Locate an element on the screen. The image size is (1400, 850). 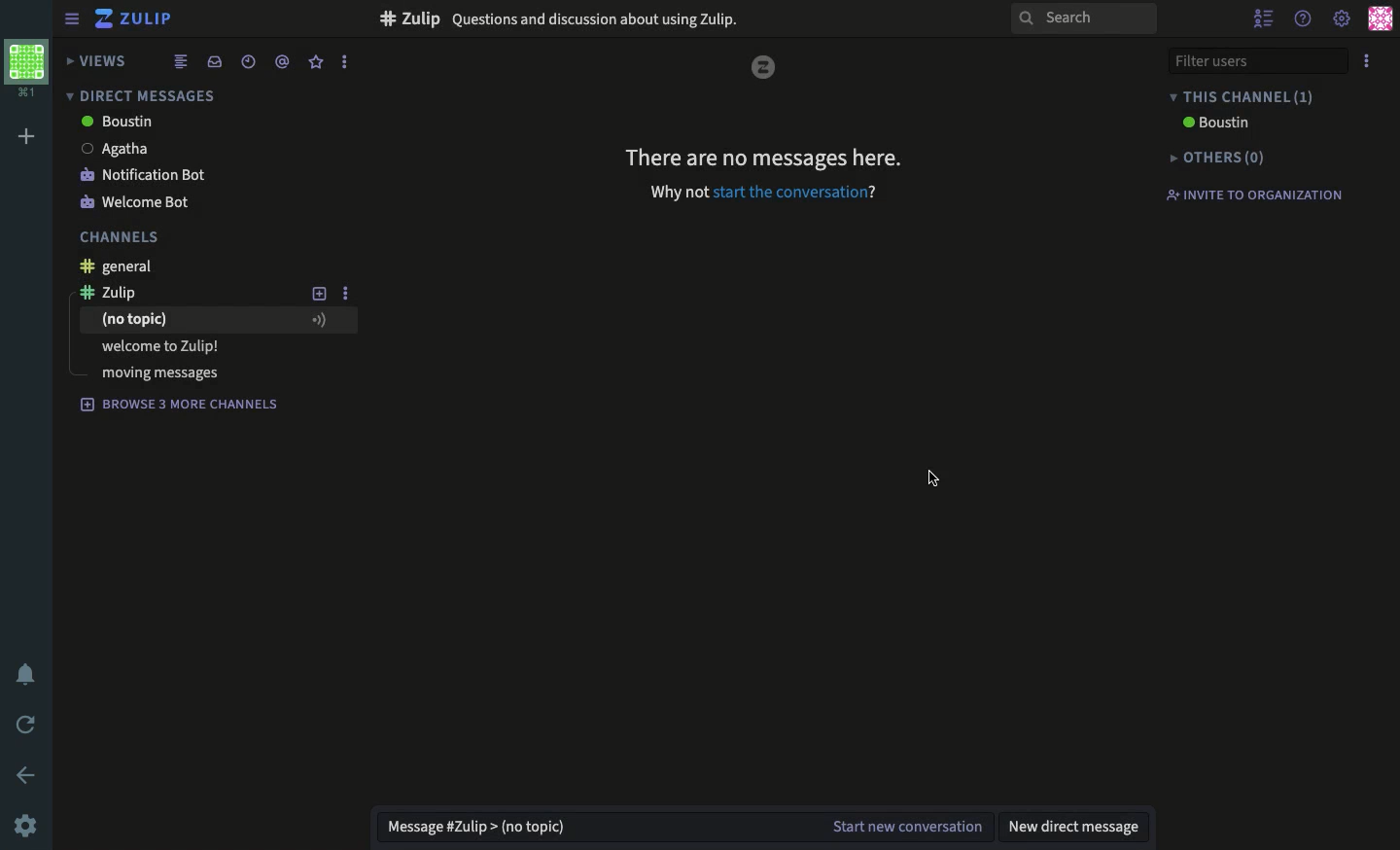
Others is located at coordinates (1223, 158).